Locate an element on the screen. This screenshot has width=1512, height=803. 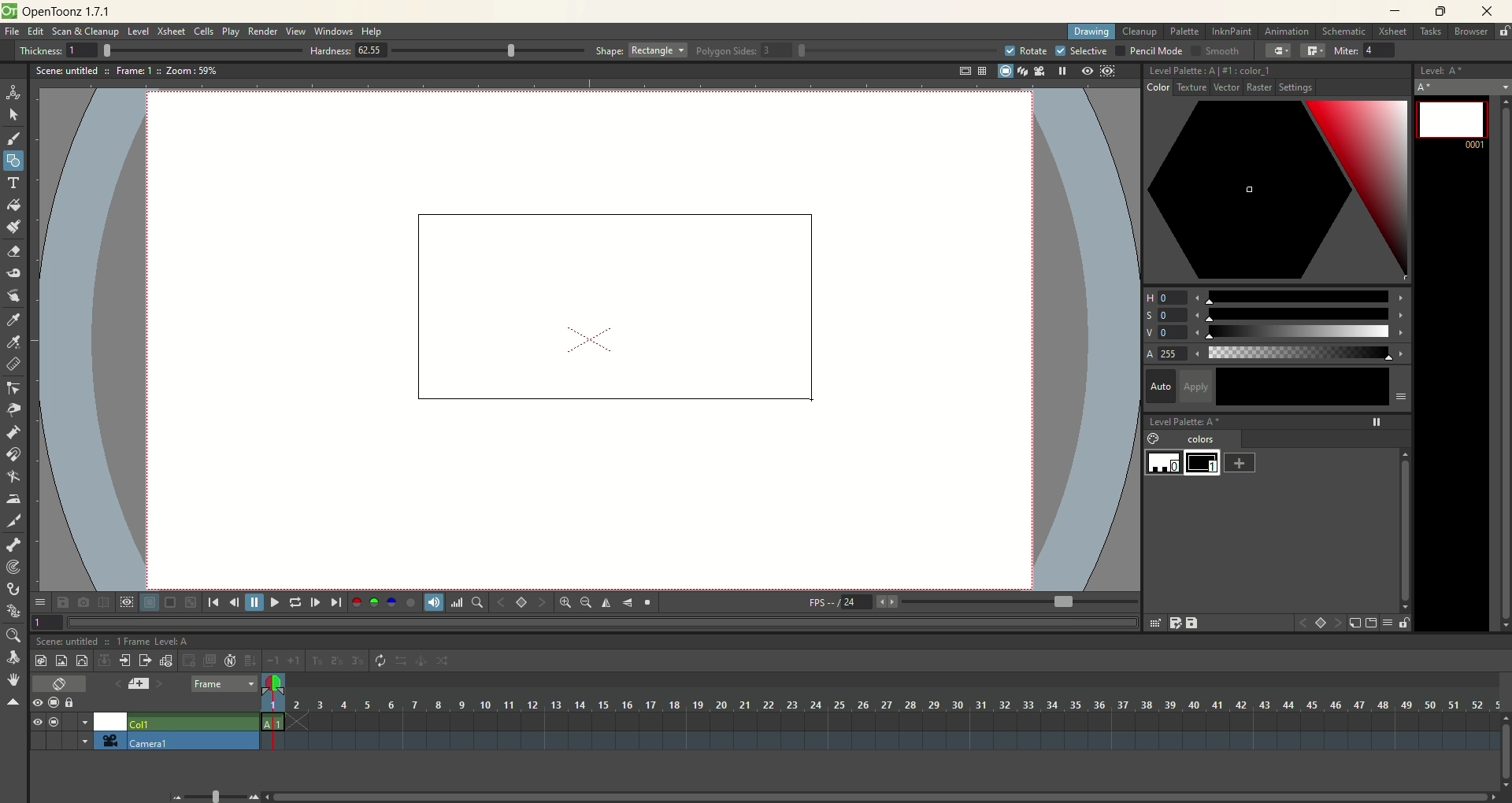
horizontal scrollbar is located at coordinates (885, 796).